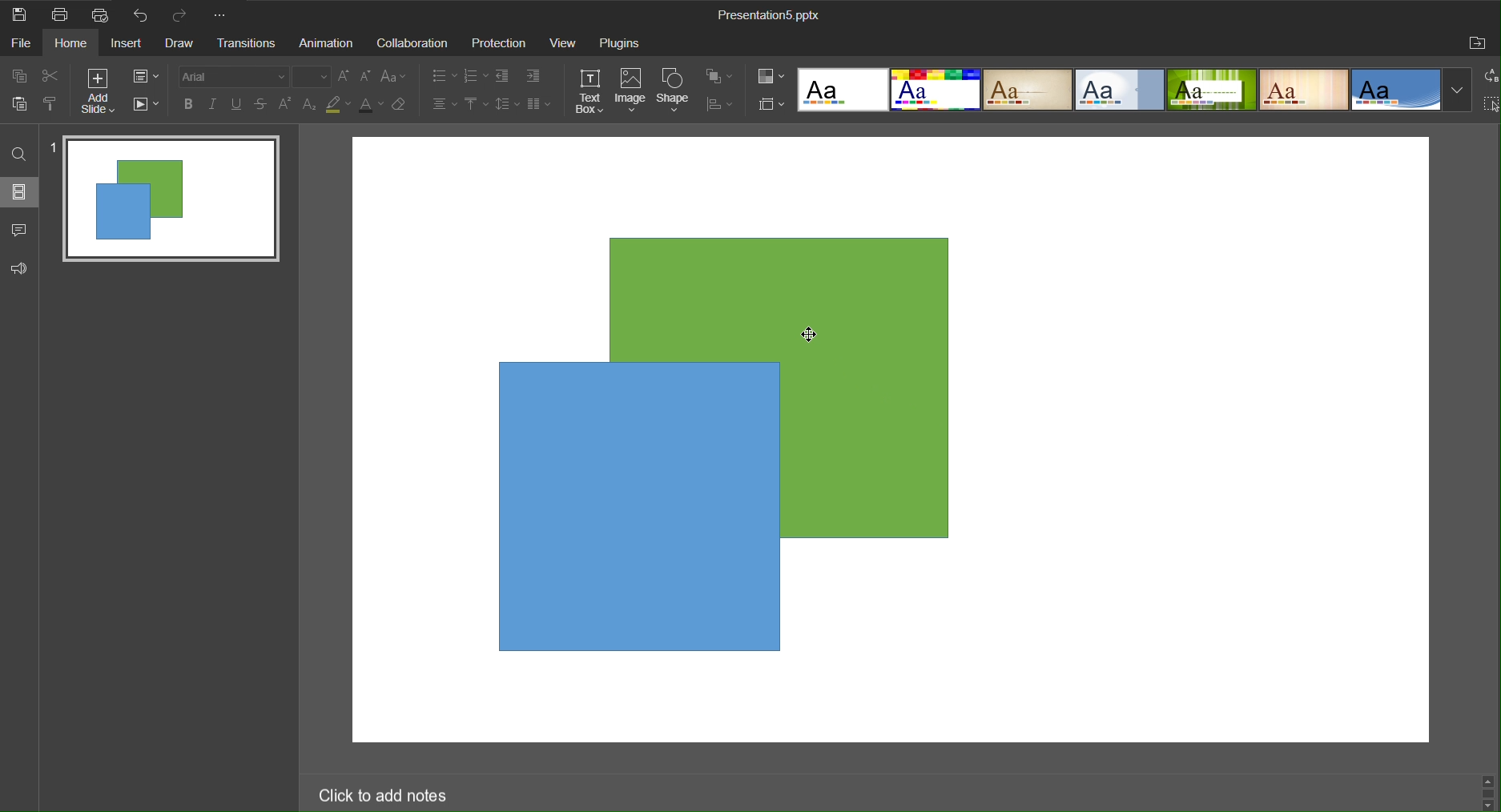 The width and height of the screenshot is (1501, 812). What do you see at coordinates (131, 44) in the screenshot?
I see `Insert` at bounding box center [131, 44].